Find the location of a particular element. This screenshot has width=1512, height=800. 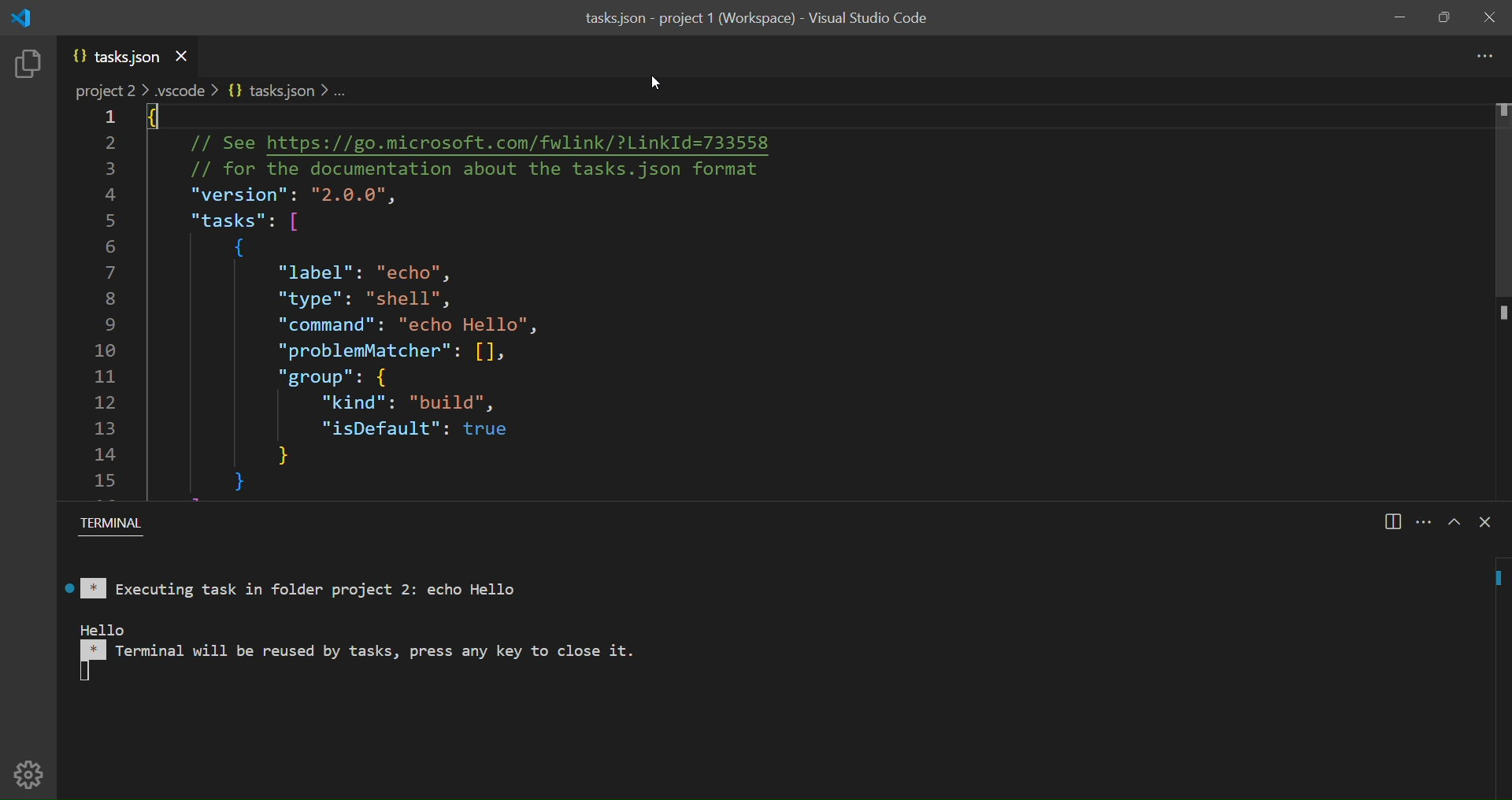

more actions is located at coordinates (1482, 55).